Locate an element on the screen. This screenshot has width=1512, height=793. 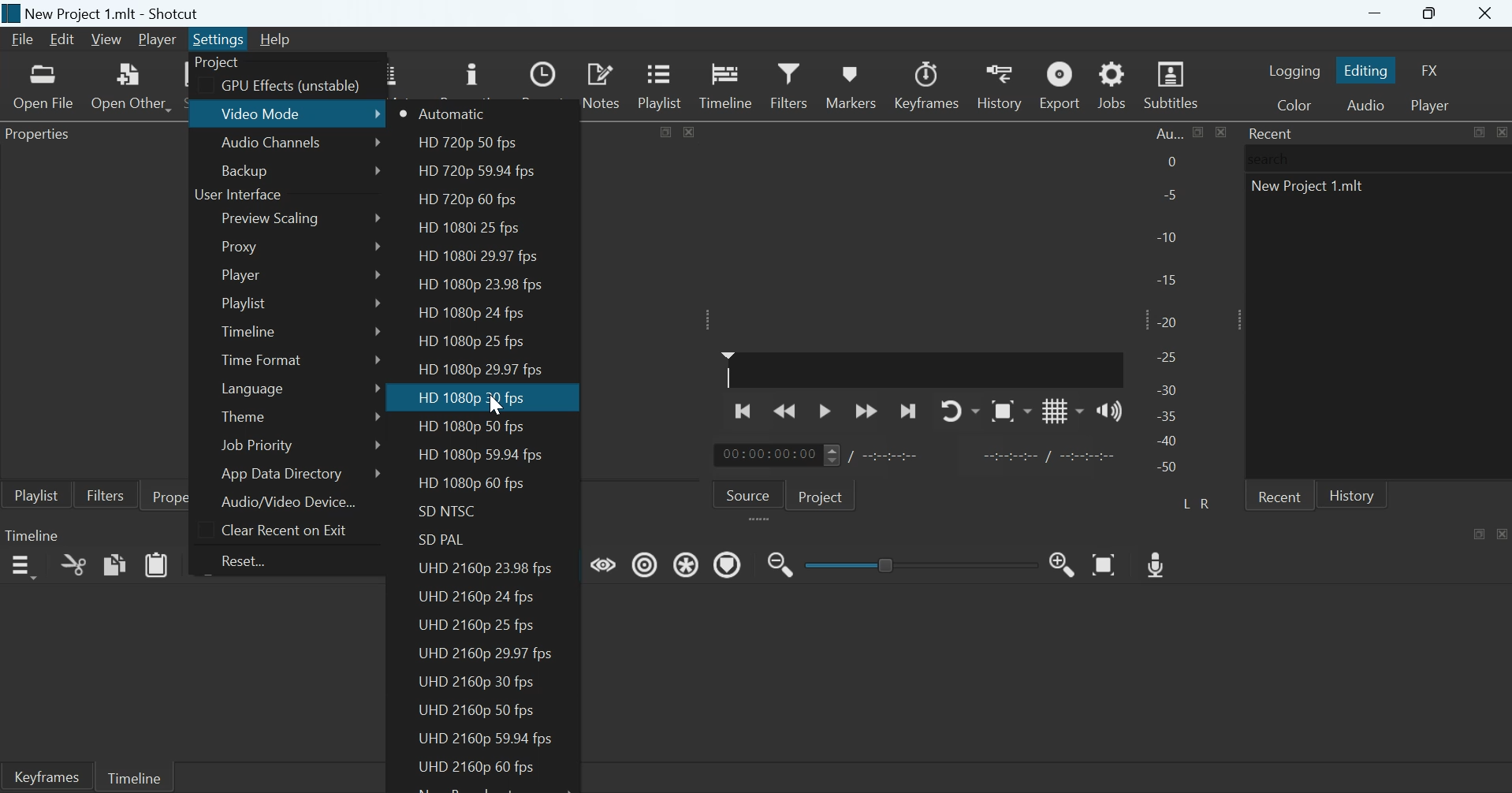
Time format is located at coordinates (262, 359).